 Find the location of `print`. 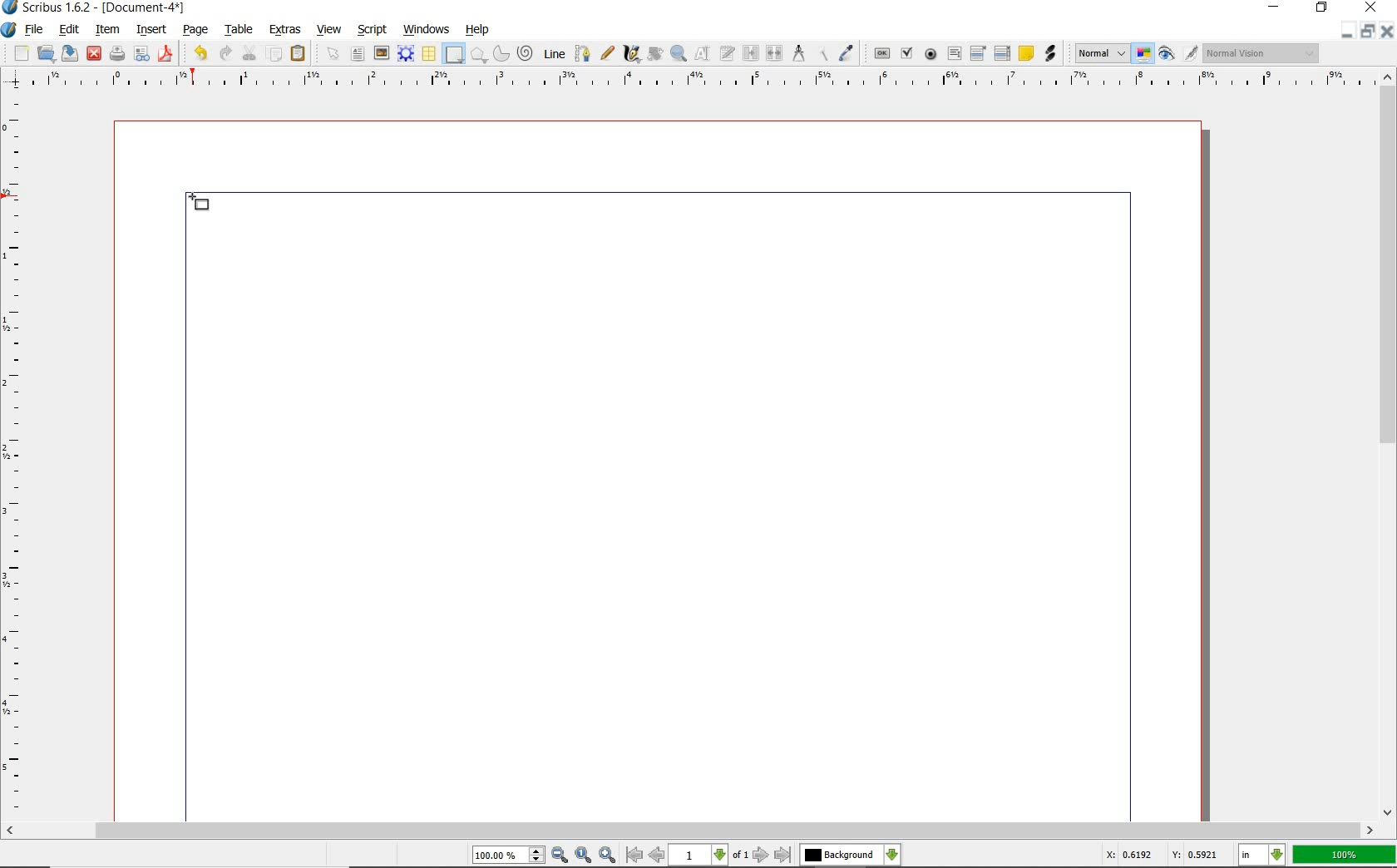

print is located at coordinates (116, 54).